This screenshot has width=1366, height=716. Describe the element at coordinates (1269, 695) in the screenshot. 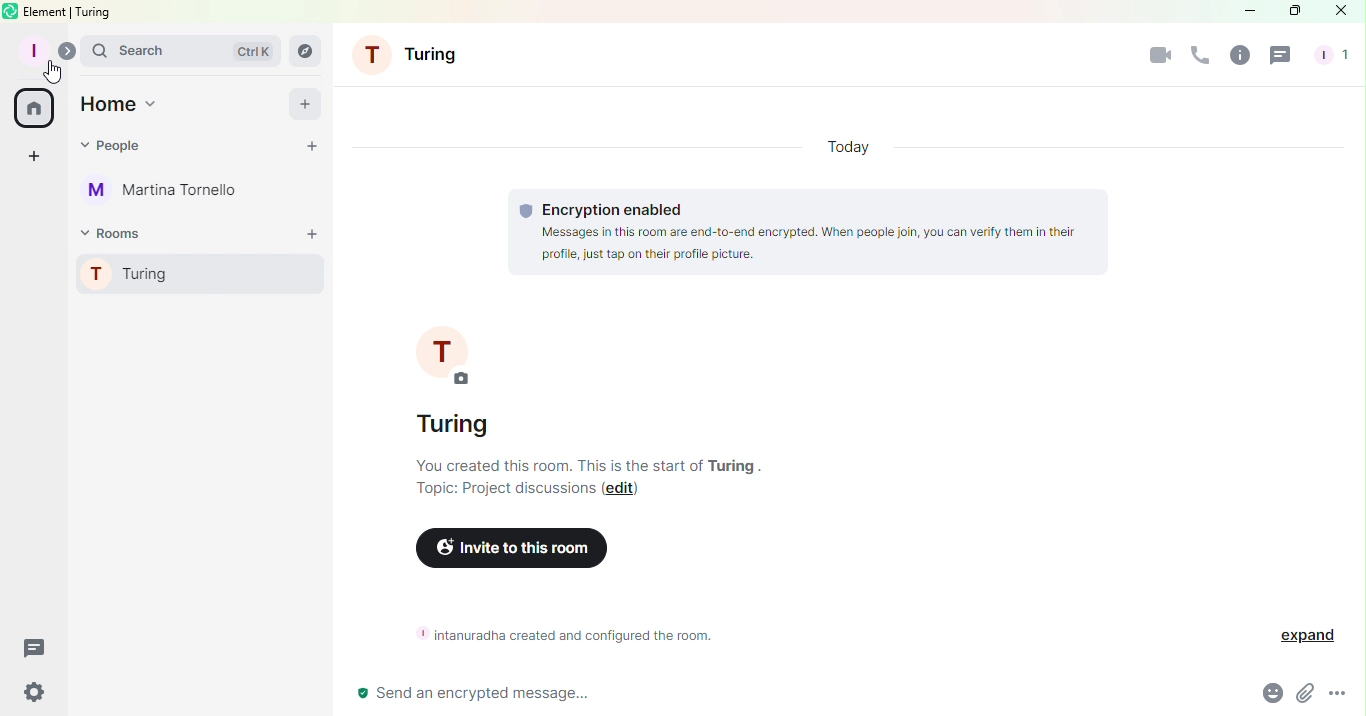

I see `Emoji` at that location.